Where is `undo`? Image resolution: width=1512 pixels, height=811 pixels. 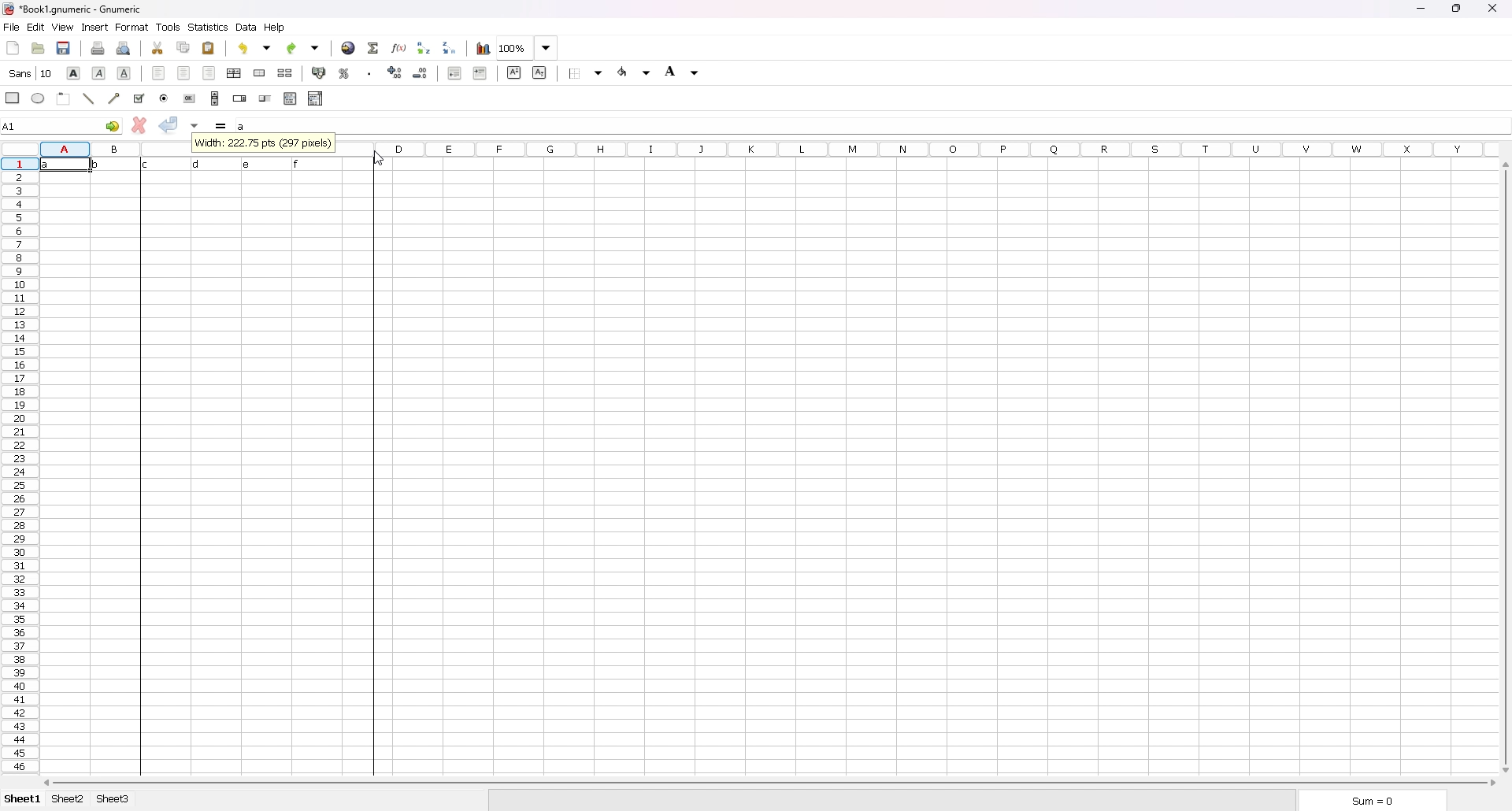
undo is located at coordinates (257, 47).